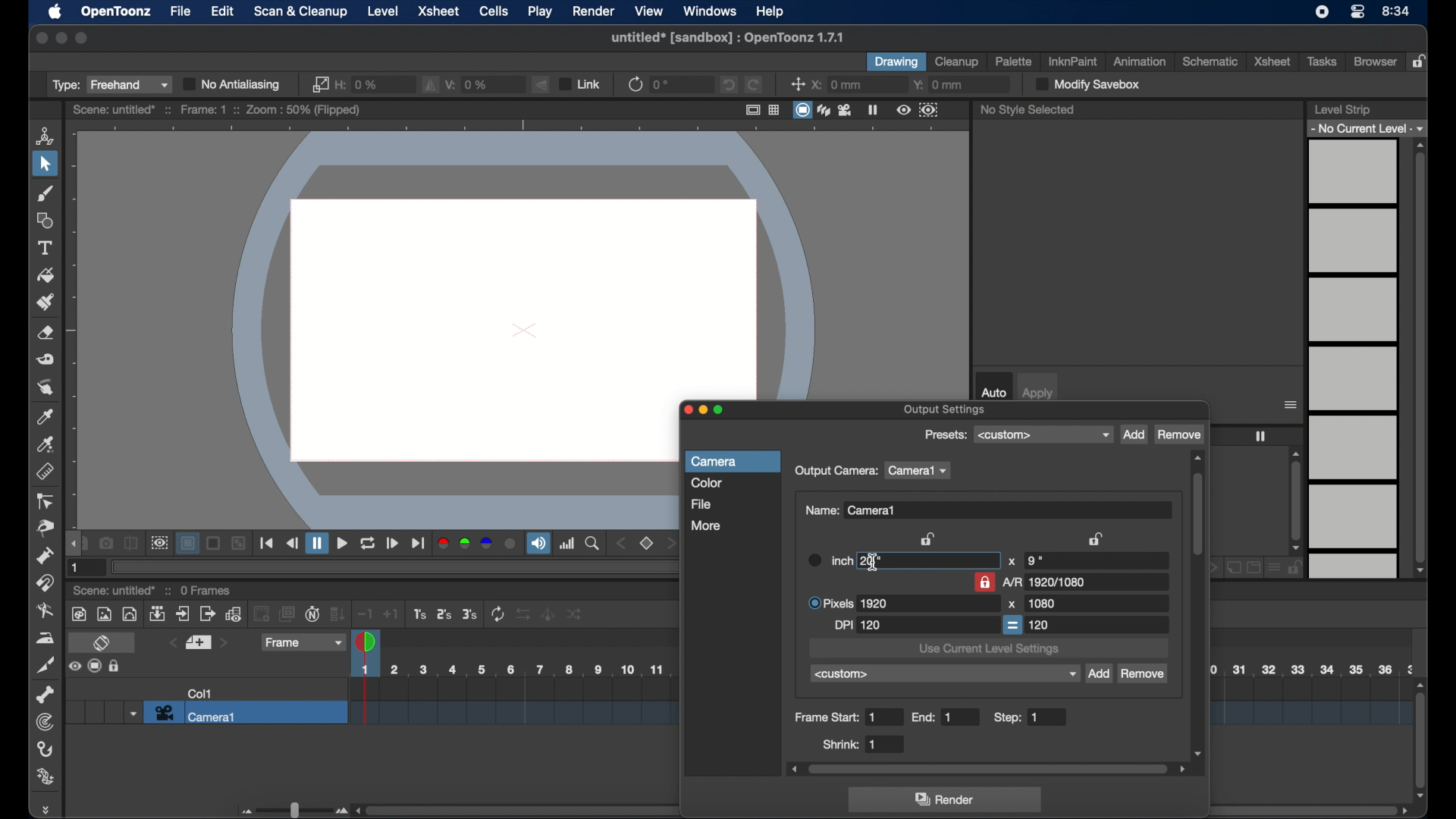 The image size is (1456, 819). What do you see at coordinates (359, 83) in the screenshot?
I see `h` at bounding box center [359, 83].